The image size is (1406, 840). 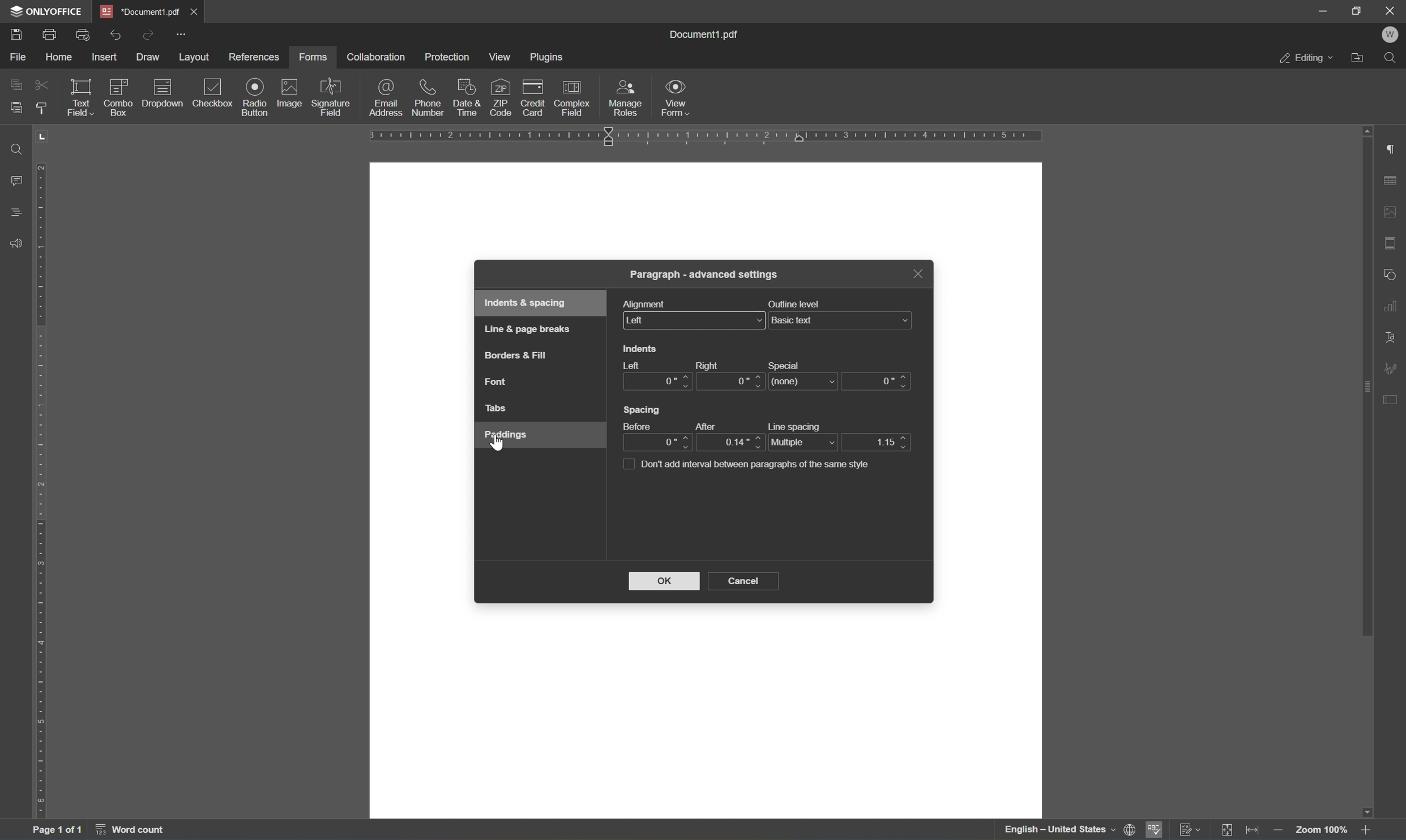 I want to click on font, so click(x=498, y=382).